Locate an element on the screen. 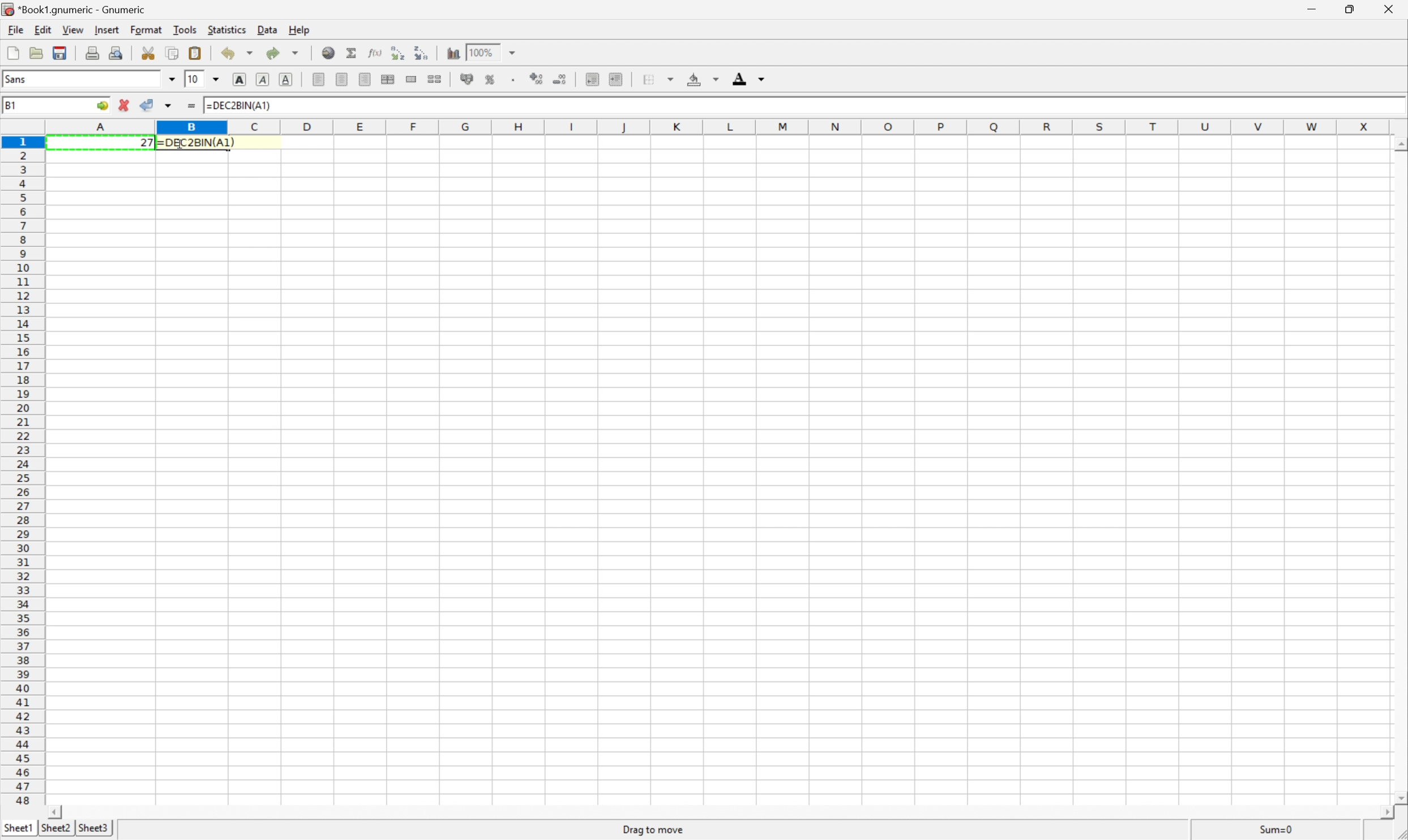  Create a new workbook is located at coordinates (12, 52).